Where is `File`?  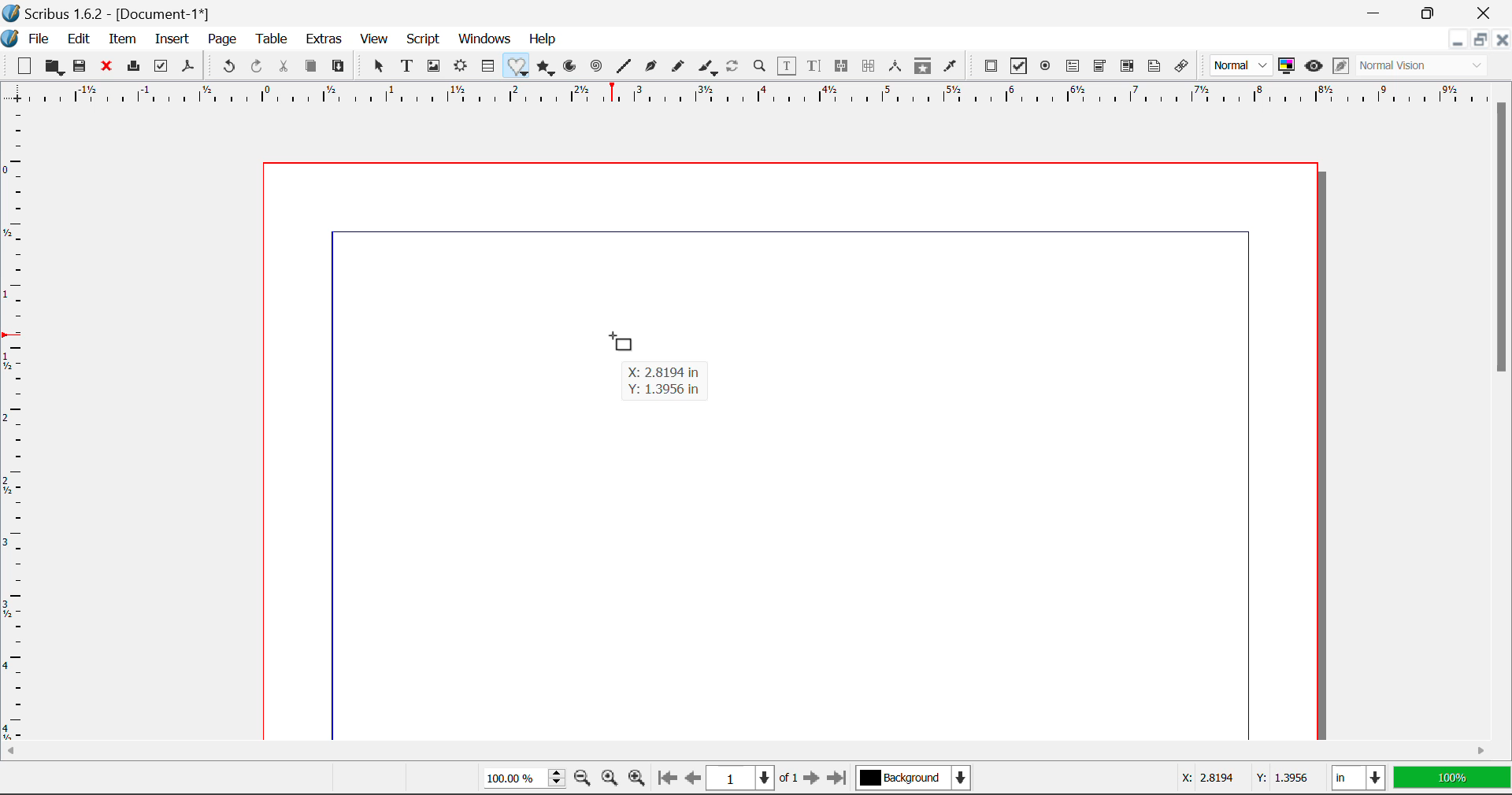
File is located at coordinates (39, 39).